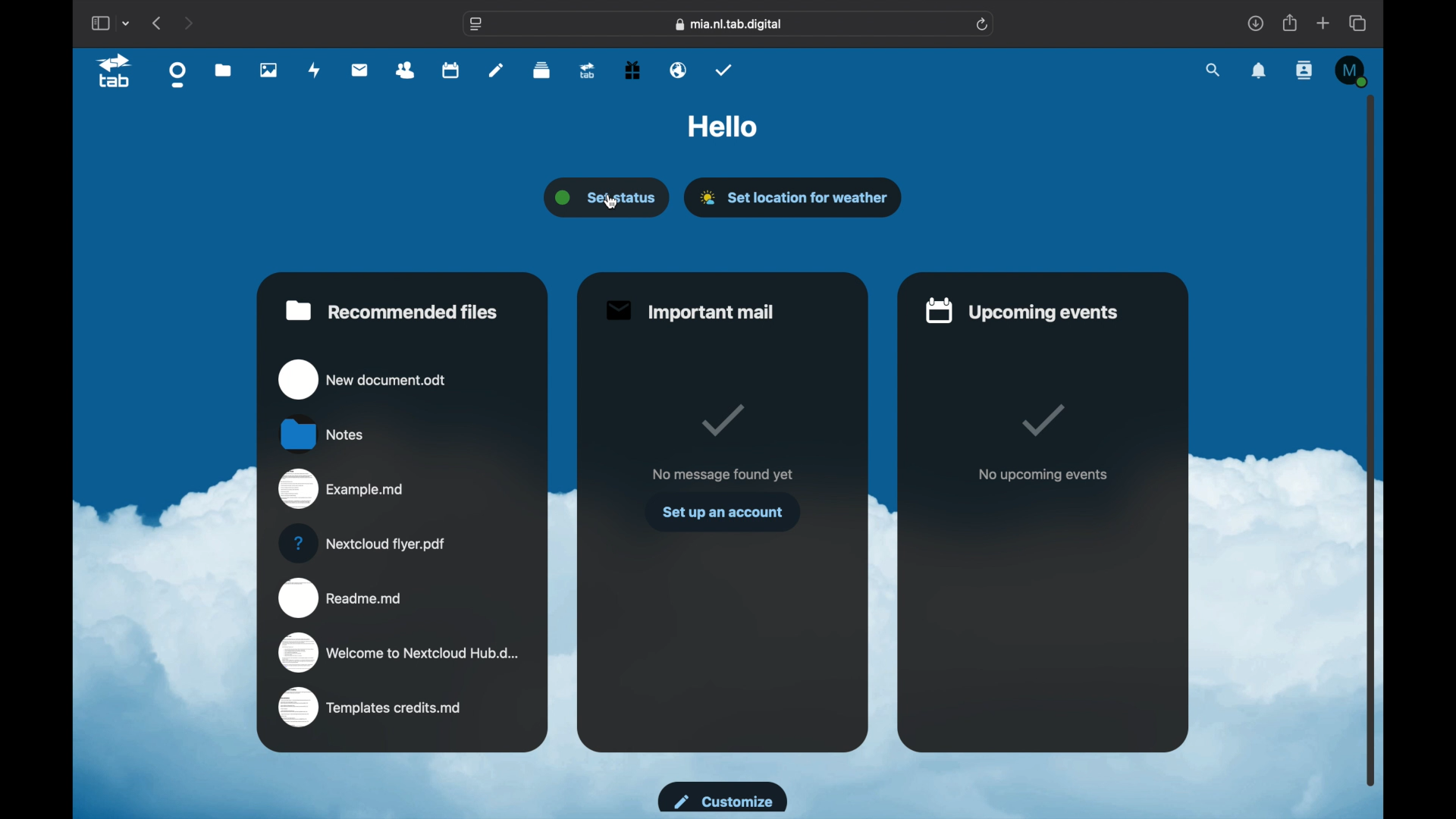  Describe the element at coordinates (99, 23) in the screenshot. I see `show sidebar` at that location.